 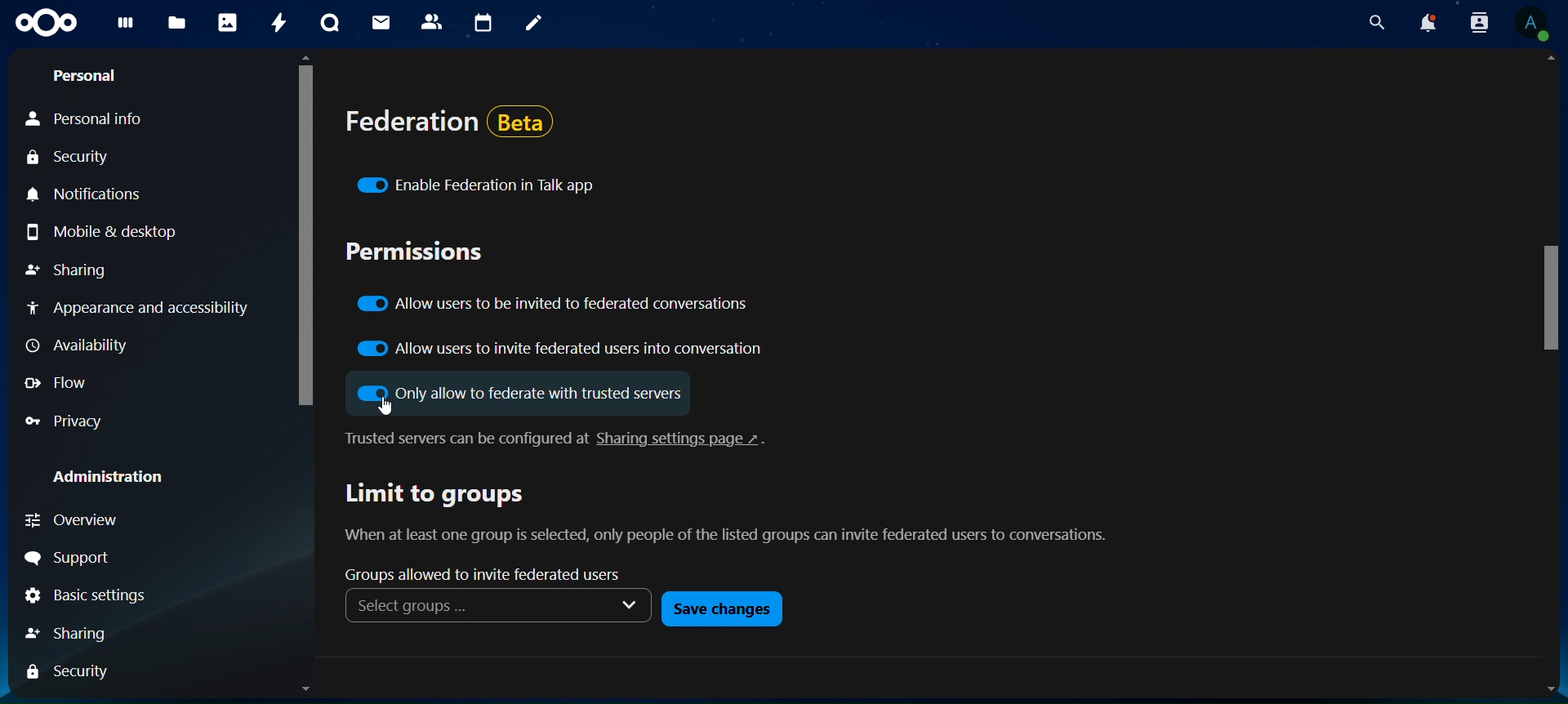 What do you see at coordinates (78, 519) in the screenshot?
I see `overview ` at bounding box center [78, 519].